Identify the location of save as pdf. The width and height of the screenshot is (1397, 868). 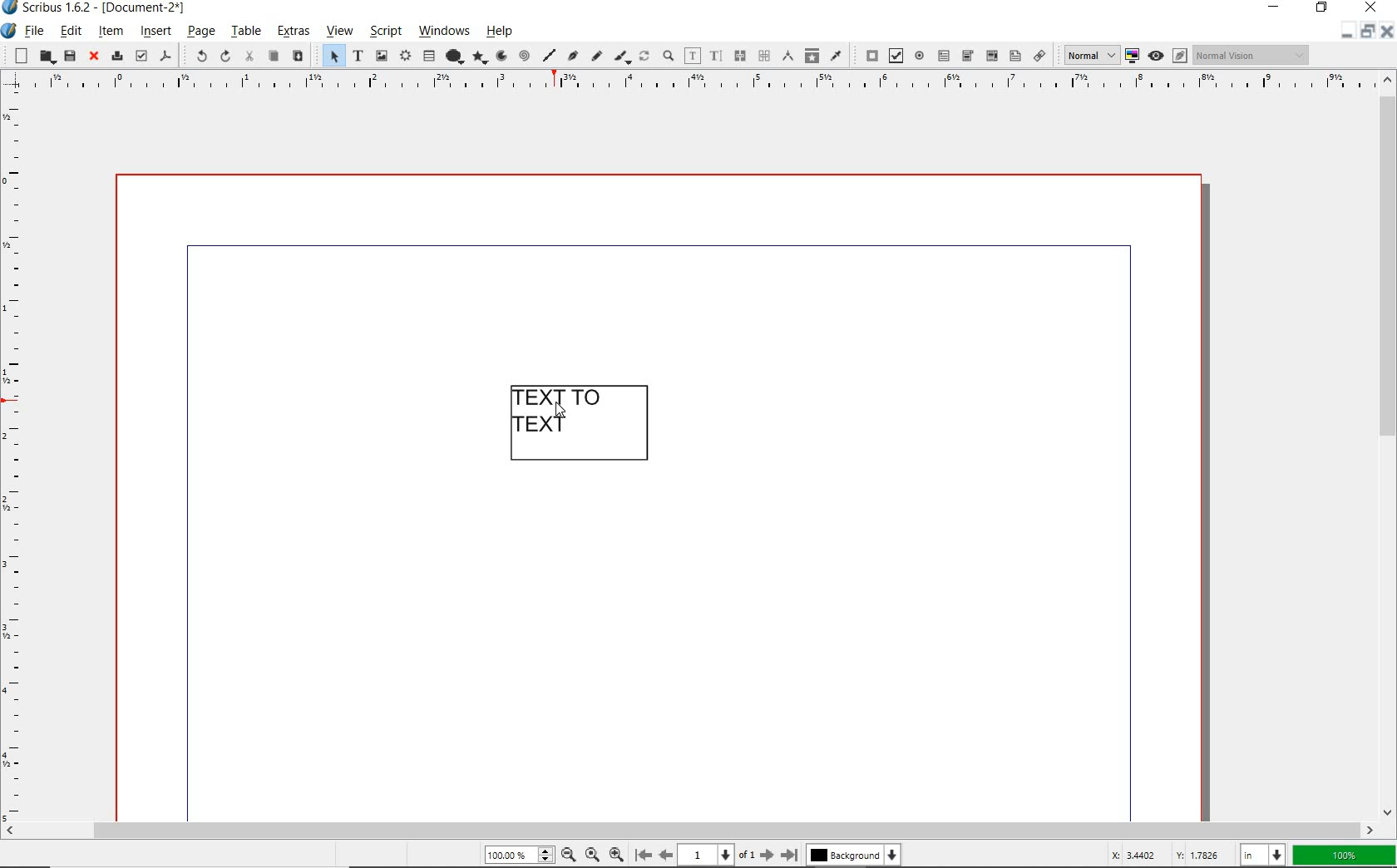
(165, 57).